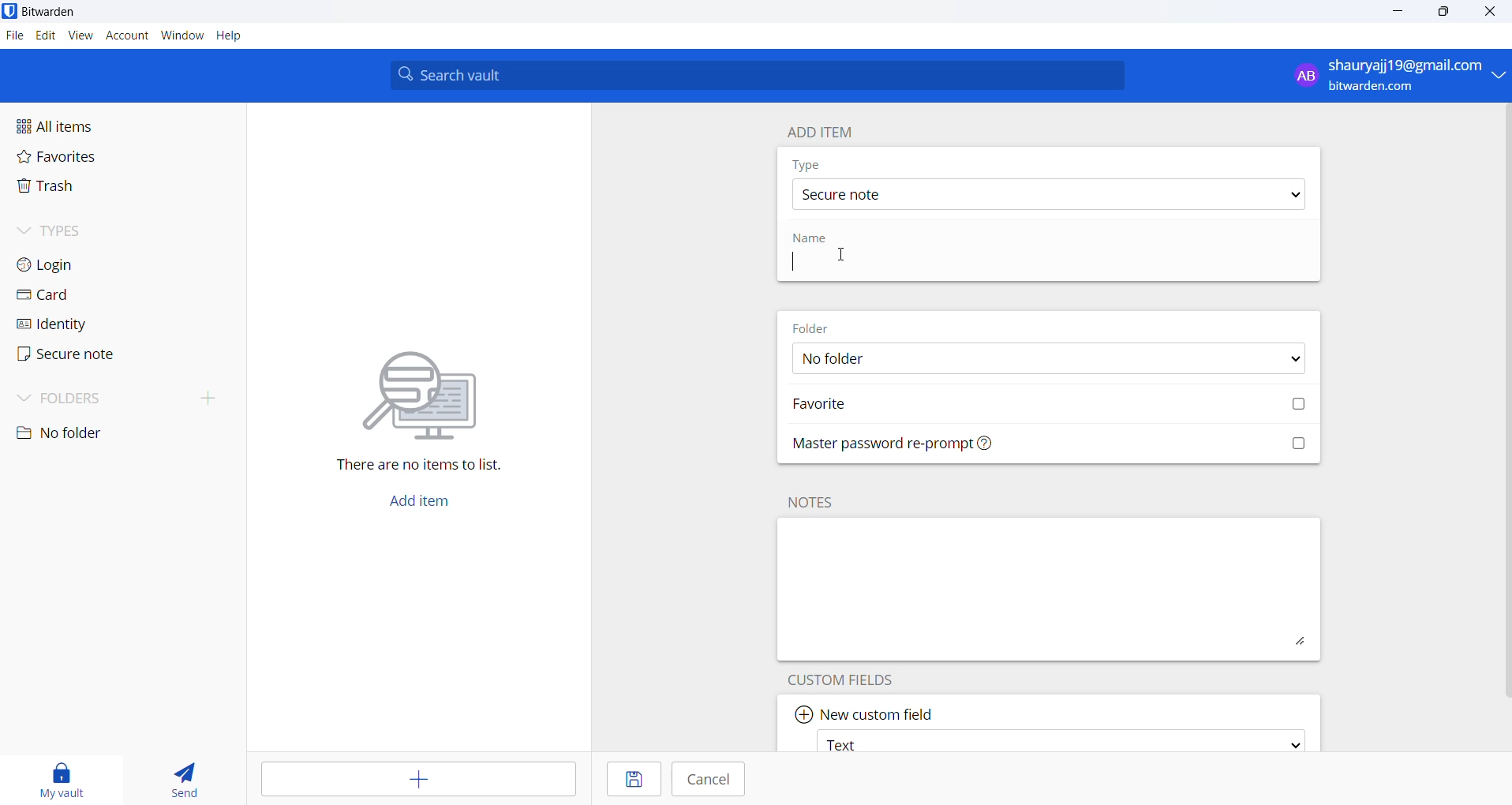 The height and width of the screenshot is (805, 1512). Describe the element at coordinates (82, 36) in the screenshot. I see `view` at that location.